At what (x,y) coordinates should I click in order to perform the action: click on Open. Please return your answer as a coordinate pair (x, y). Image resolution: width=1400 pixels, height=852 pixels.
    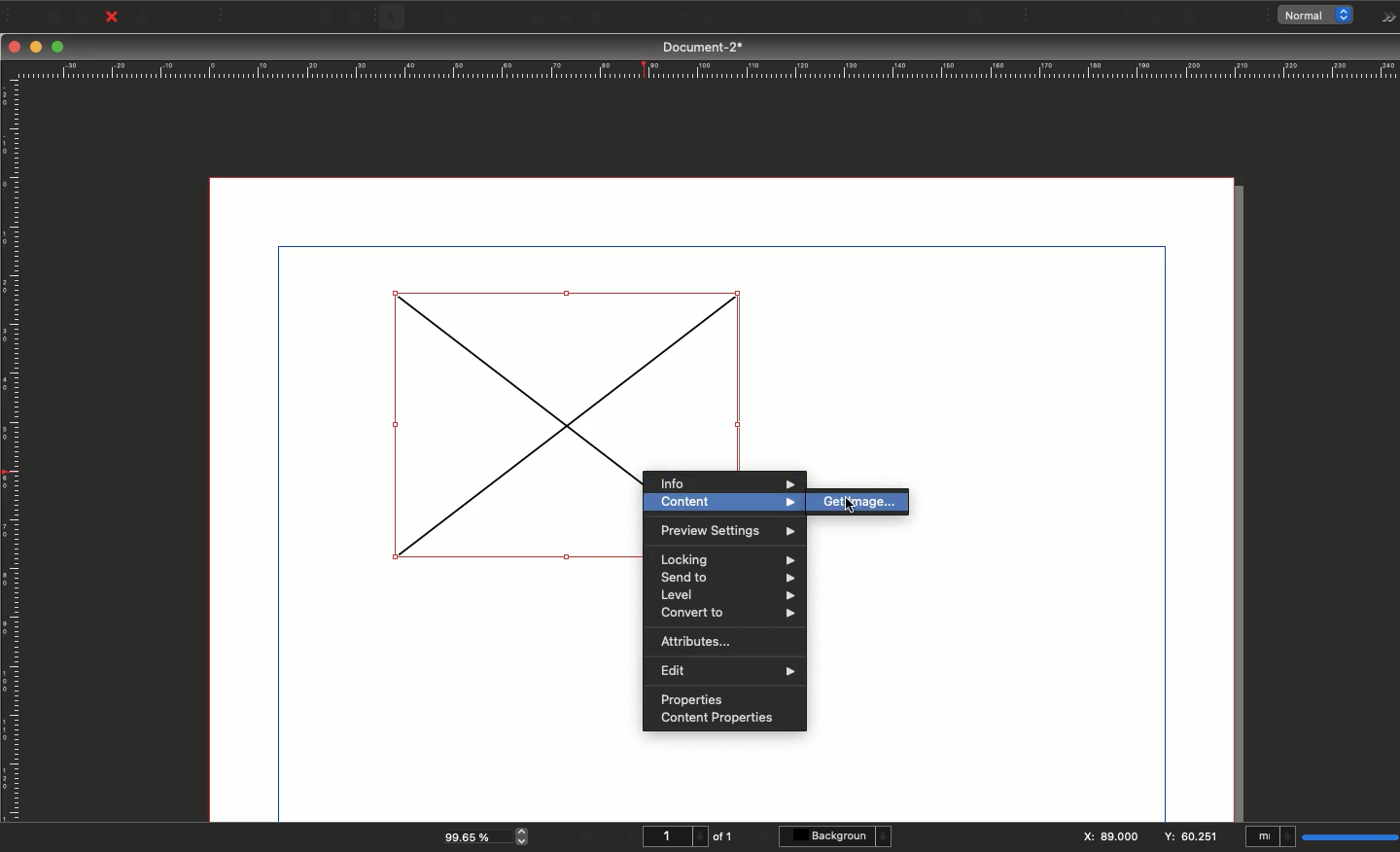
    Looking at the image, I should click on (52, 18).